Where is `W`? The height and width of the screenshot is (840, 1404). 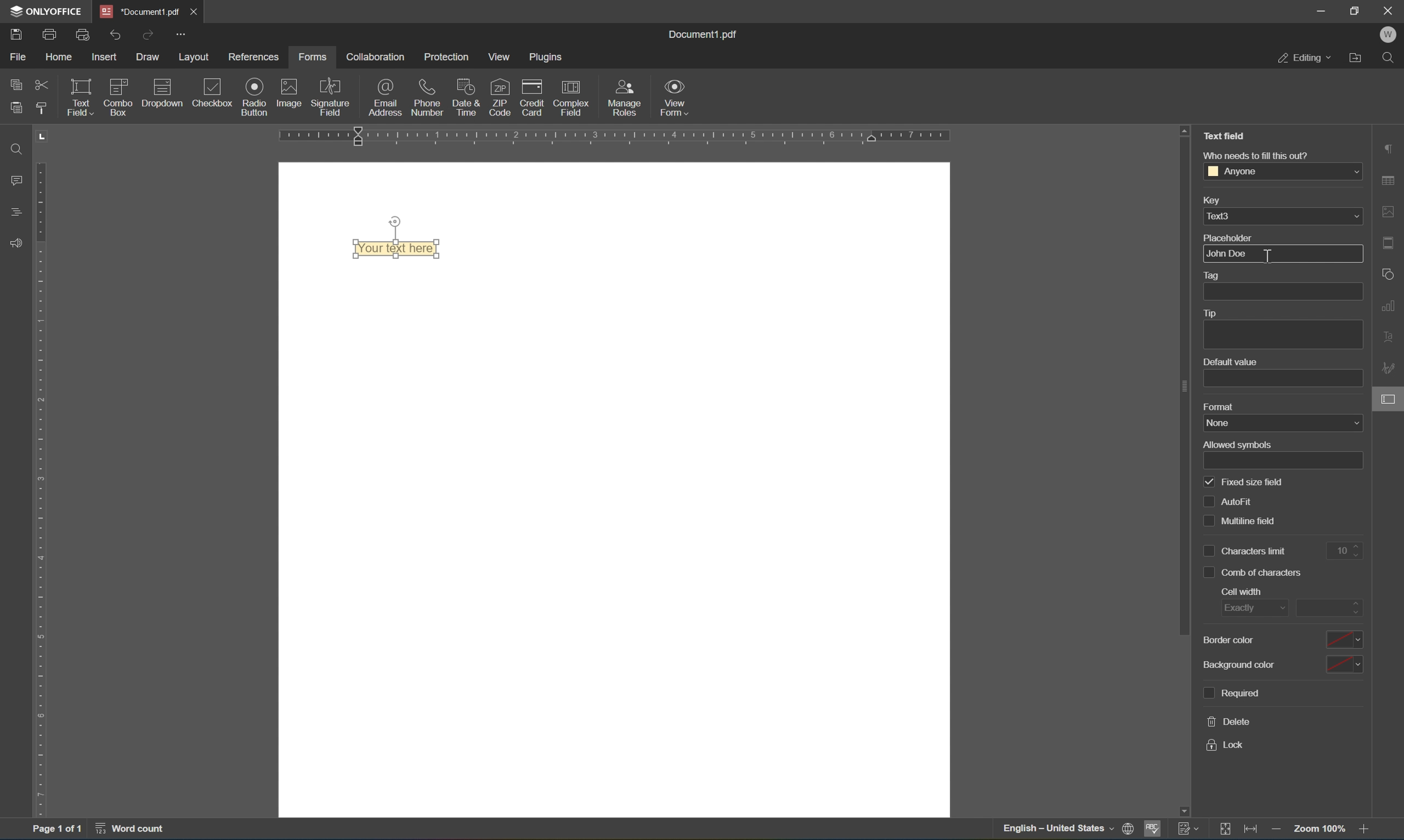
W is located at coordinates (1392, 33).